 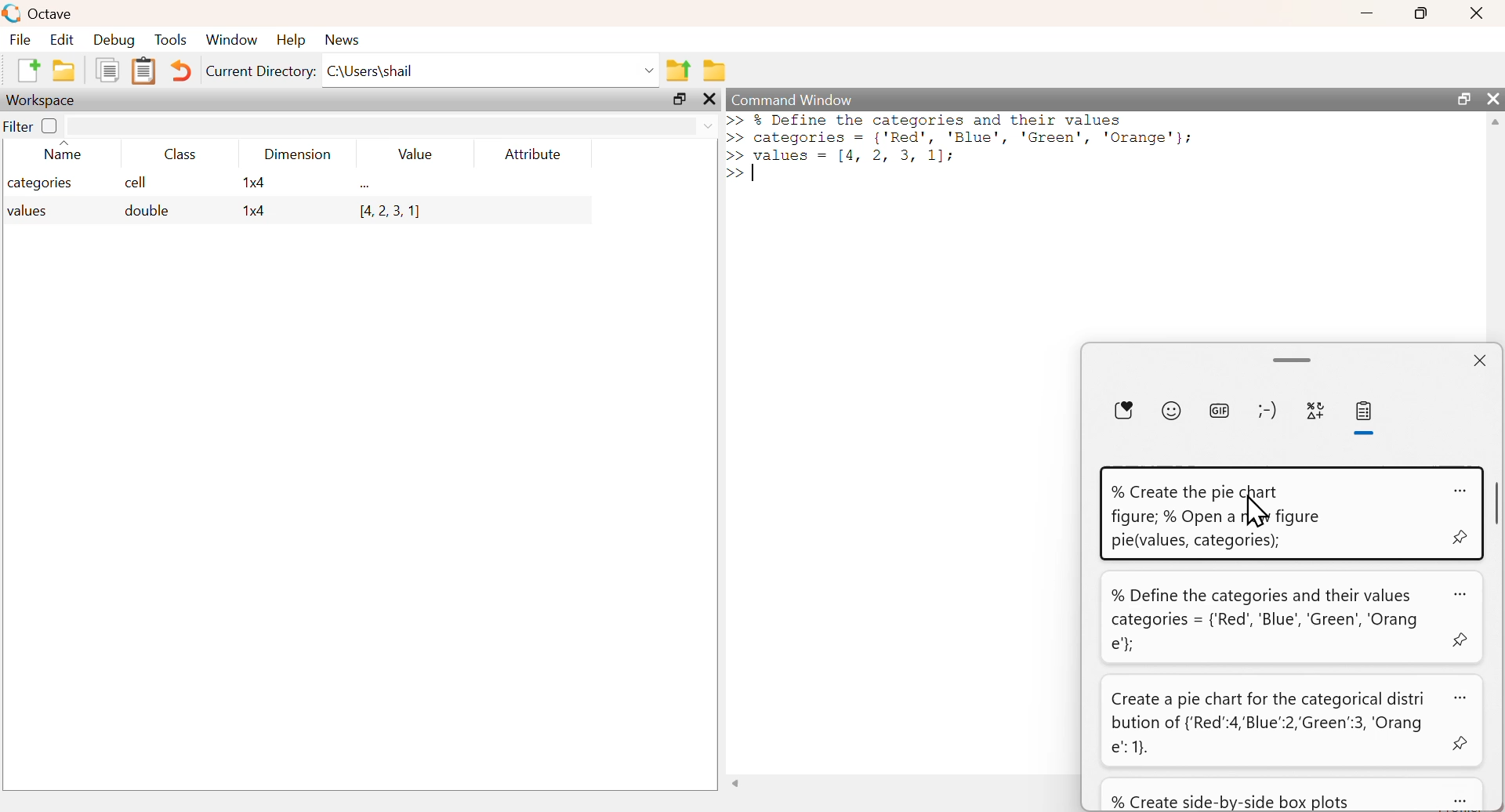 I want to click on New folder, so click(x=65, y=70).